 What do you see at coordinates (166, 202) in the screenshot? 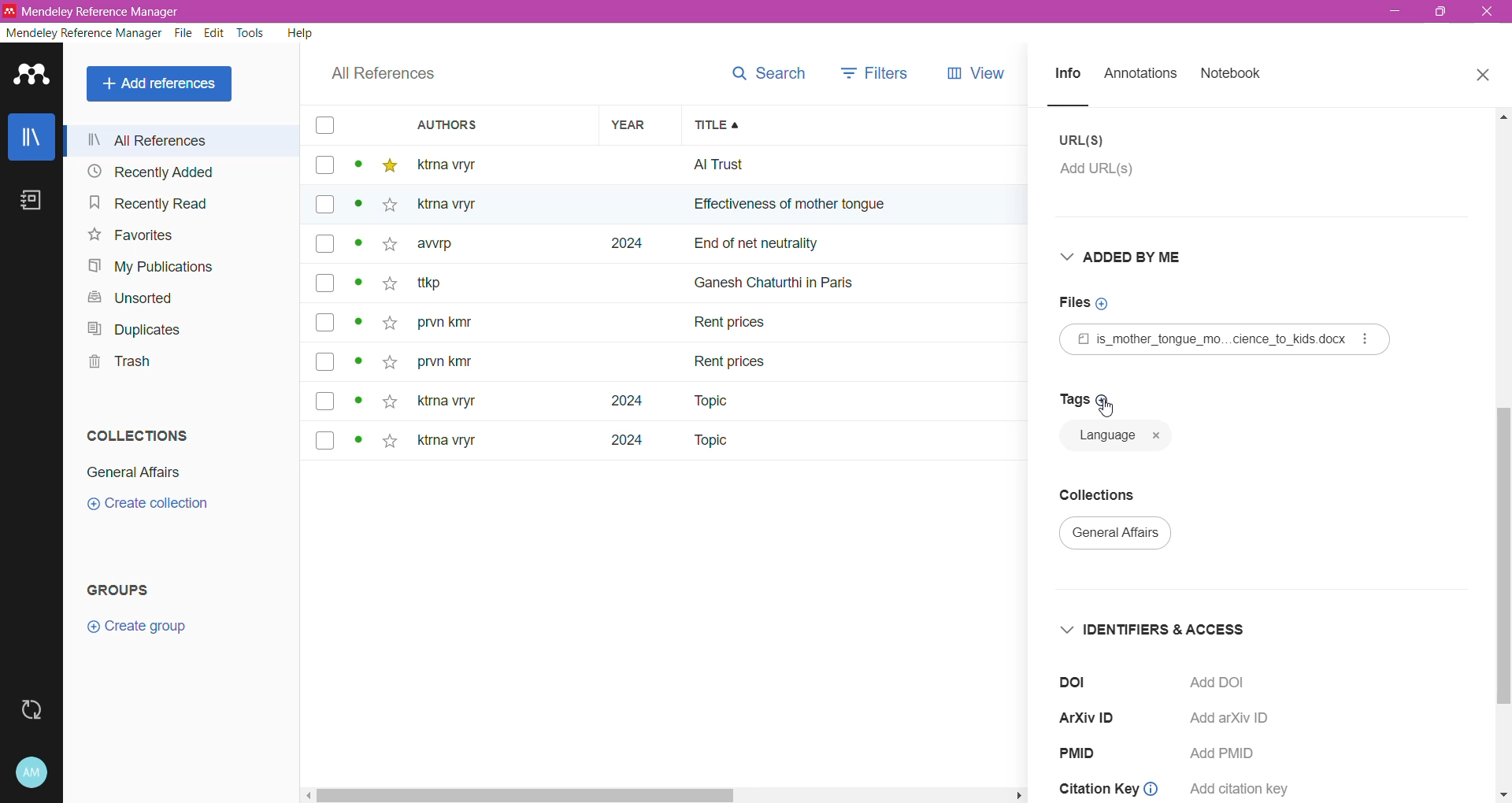
I see `Recently Read` at bounding box center [166, 202].